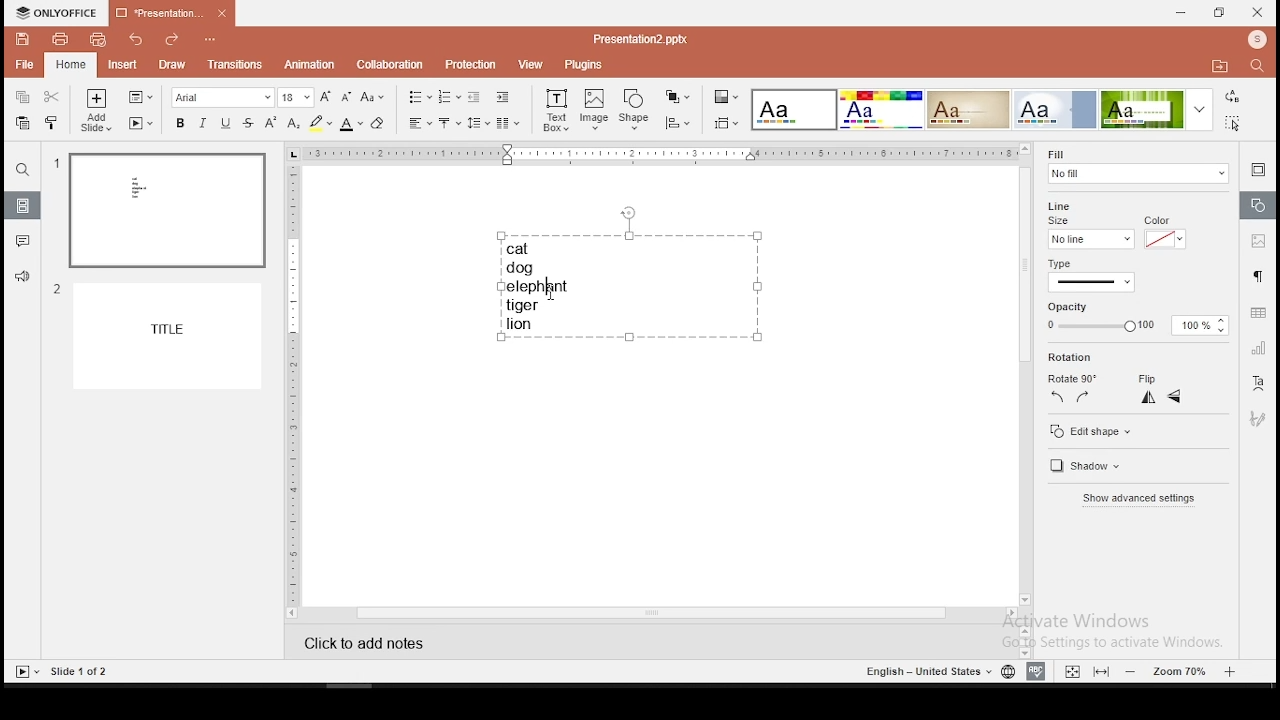 The width and height of the screenshot is (1280, 720). Describe the element at coordinates (421, 123) in the screenshot. I see `horizontal align` at that location.